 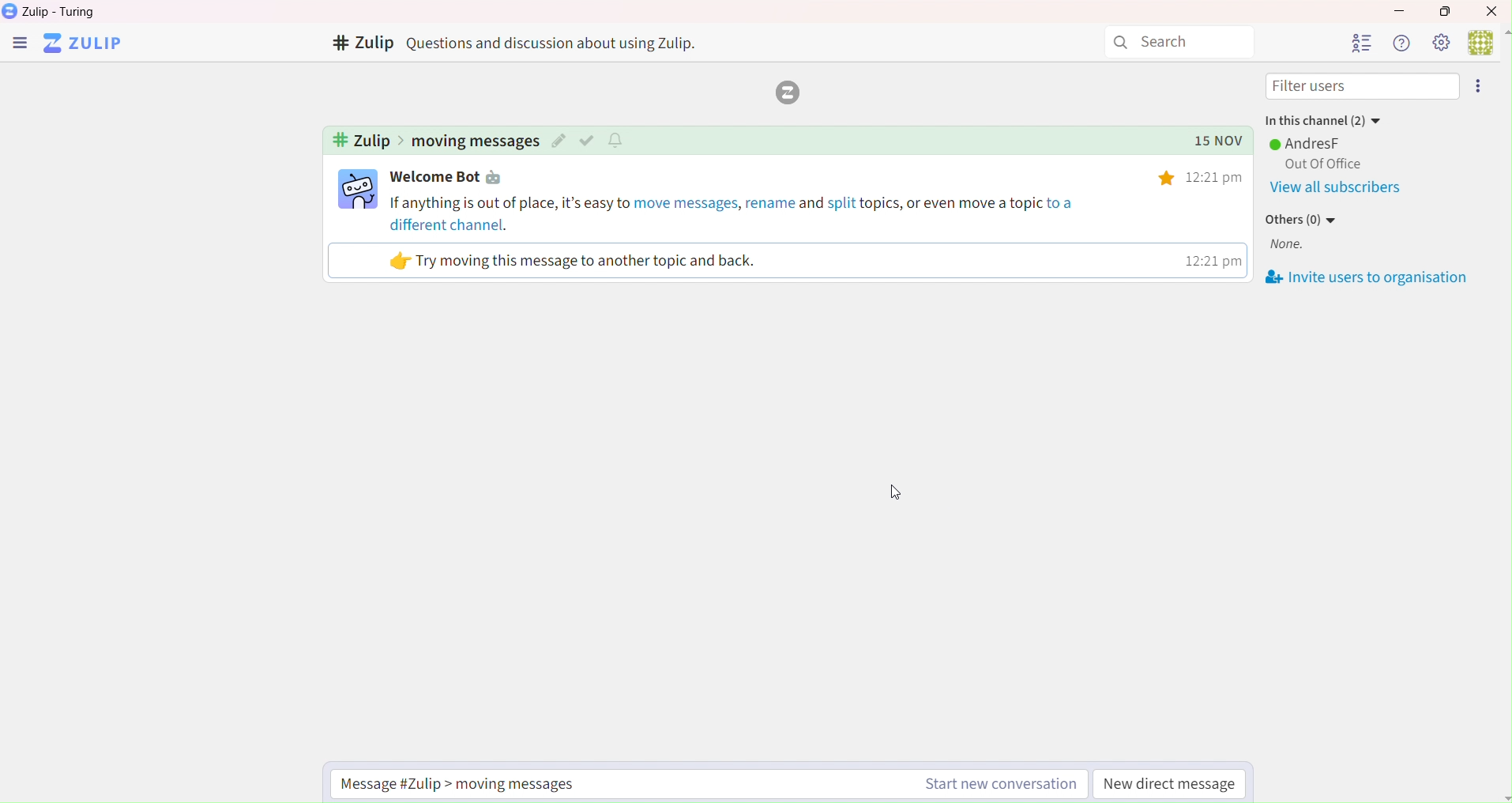 What do you see at coordinates (359, 189) in the screenshot?
I see `user profile` at bounding box center [359, 189].